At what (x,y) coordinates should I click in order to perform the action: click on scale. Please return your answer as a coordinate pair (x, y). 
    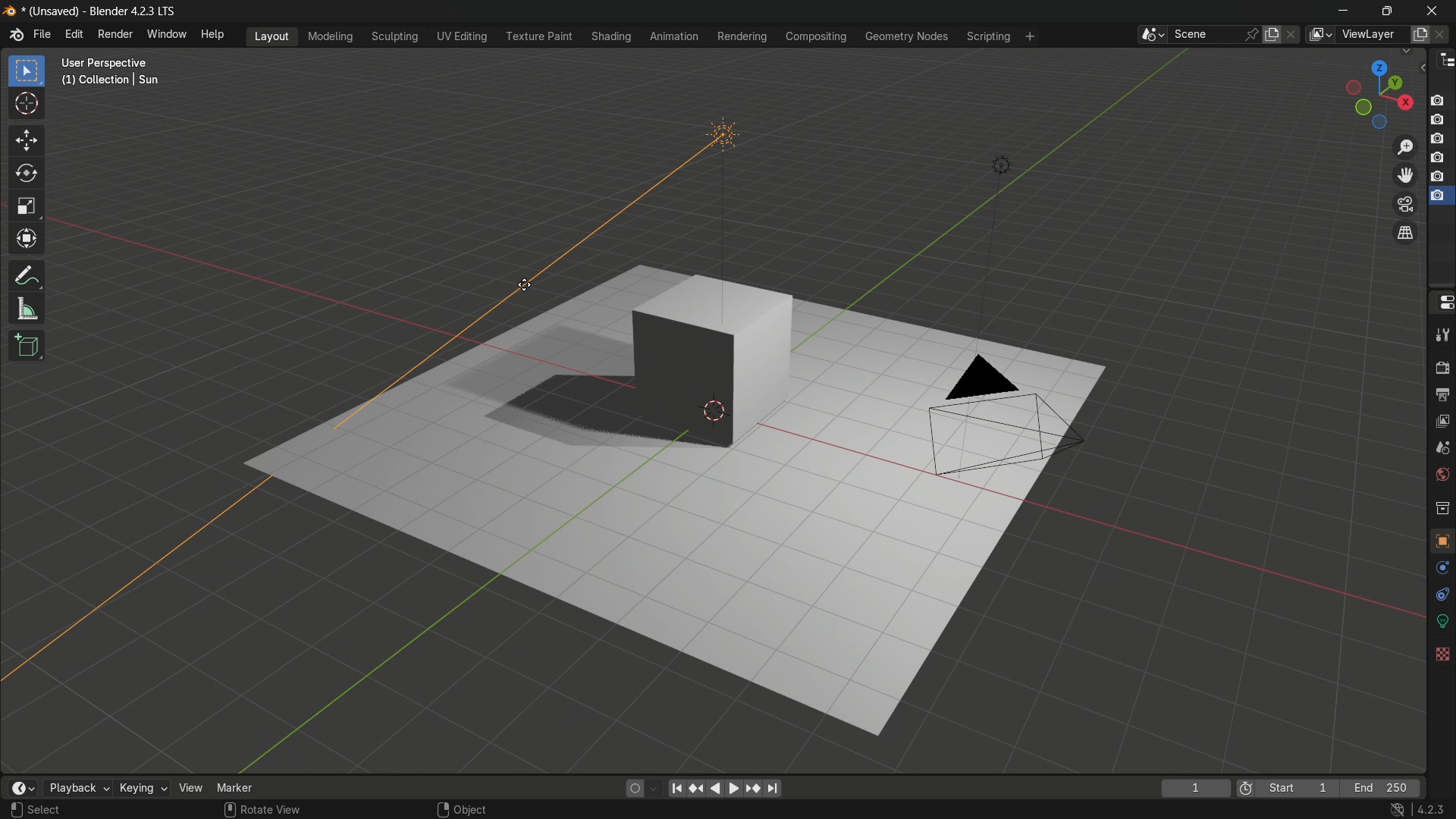
    Looking at the image, I should click on (26, 208).